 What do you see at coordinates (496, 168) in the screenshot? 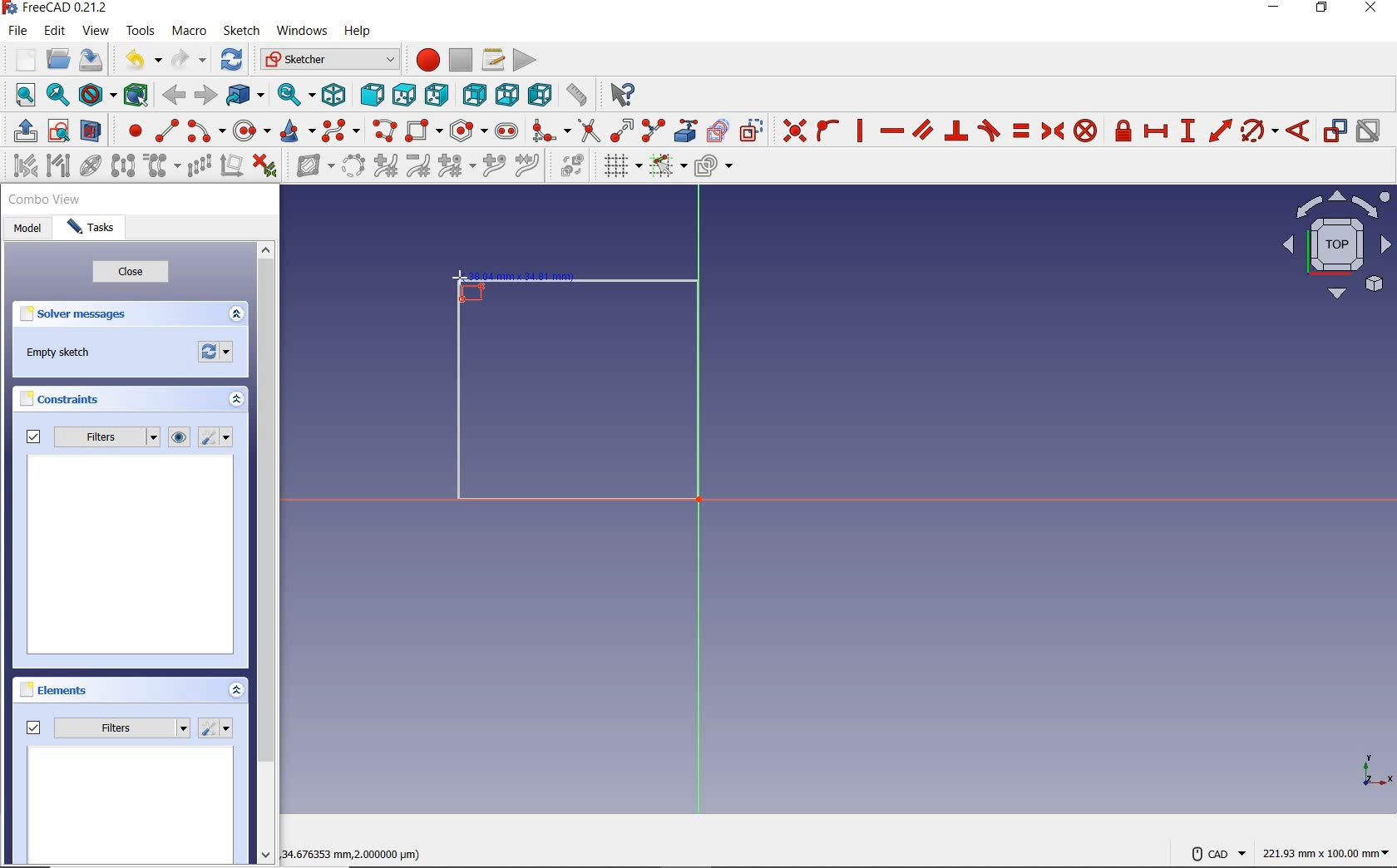
I see `insert knot` at bounding box center [496, 168].